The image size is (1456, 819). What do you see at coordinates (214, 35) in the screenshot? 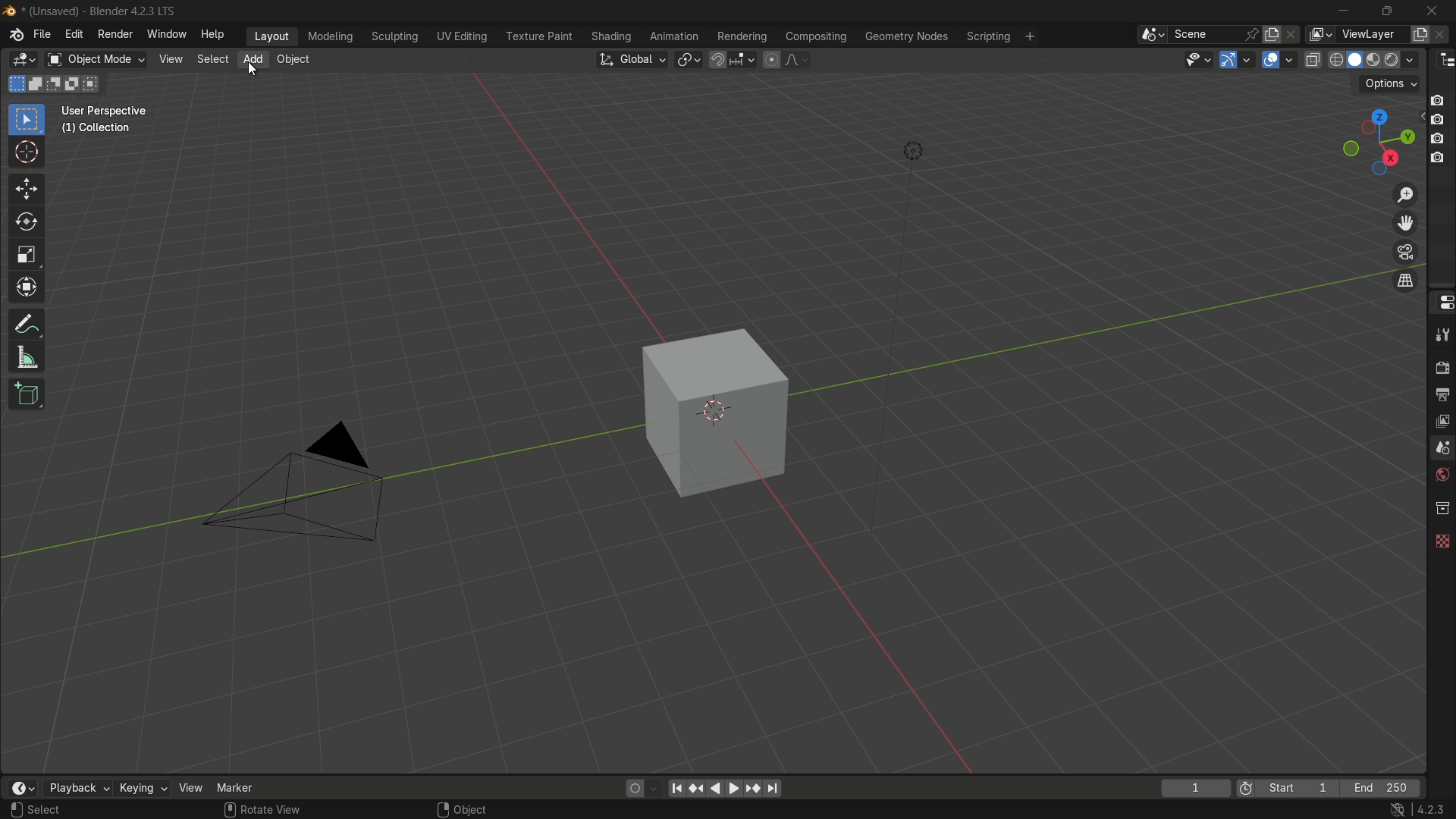
I see `help menu` at bounding box center [214, 35].